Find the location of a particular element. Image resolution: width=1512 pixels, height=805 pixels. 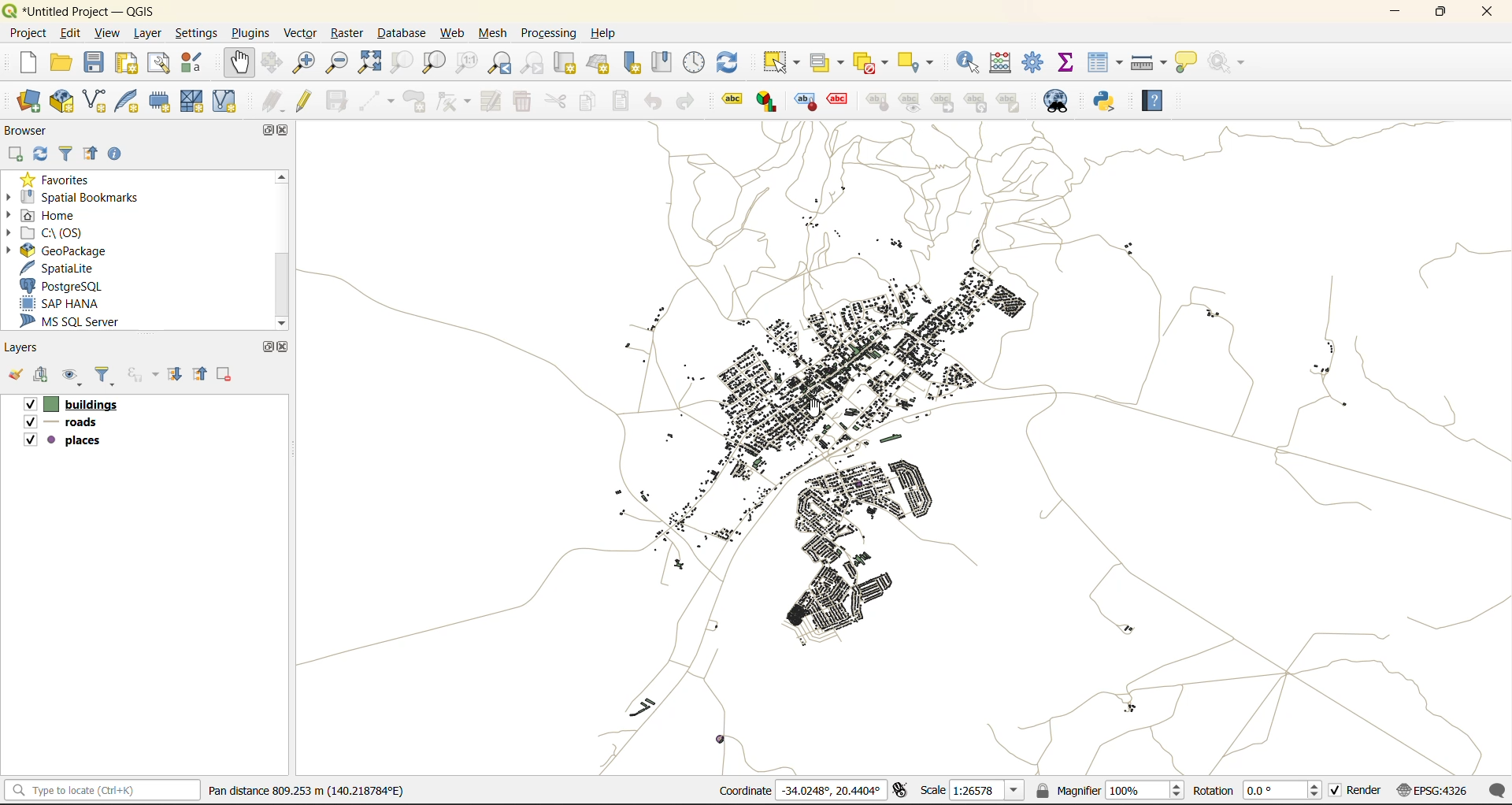

attributes table is located at coordinates (1105, 65).